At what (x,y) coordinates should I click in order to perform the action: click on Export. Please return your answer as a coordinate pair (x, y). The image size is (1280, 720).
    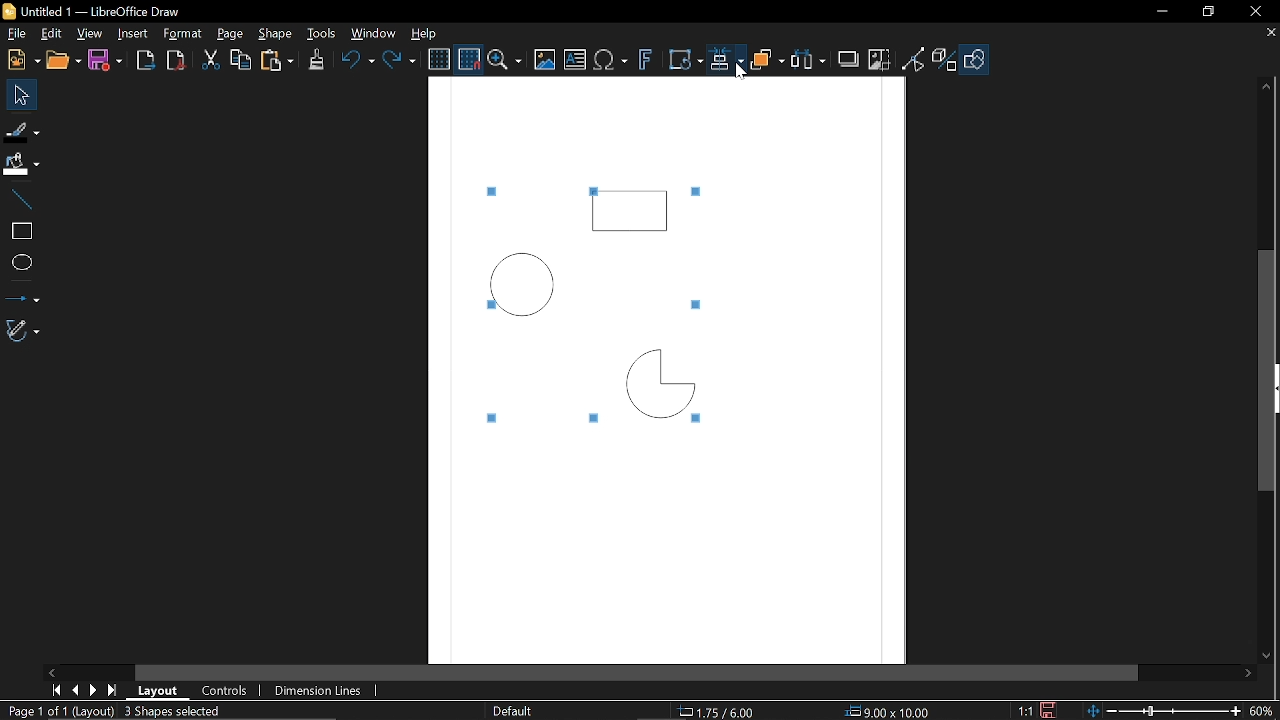
    Looking at the image, I should click on (146, 59).